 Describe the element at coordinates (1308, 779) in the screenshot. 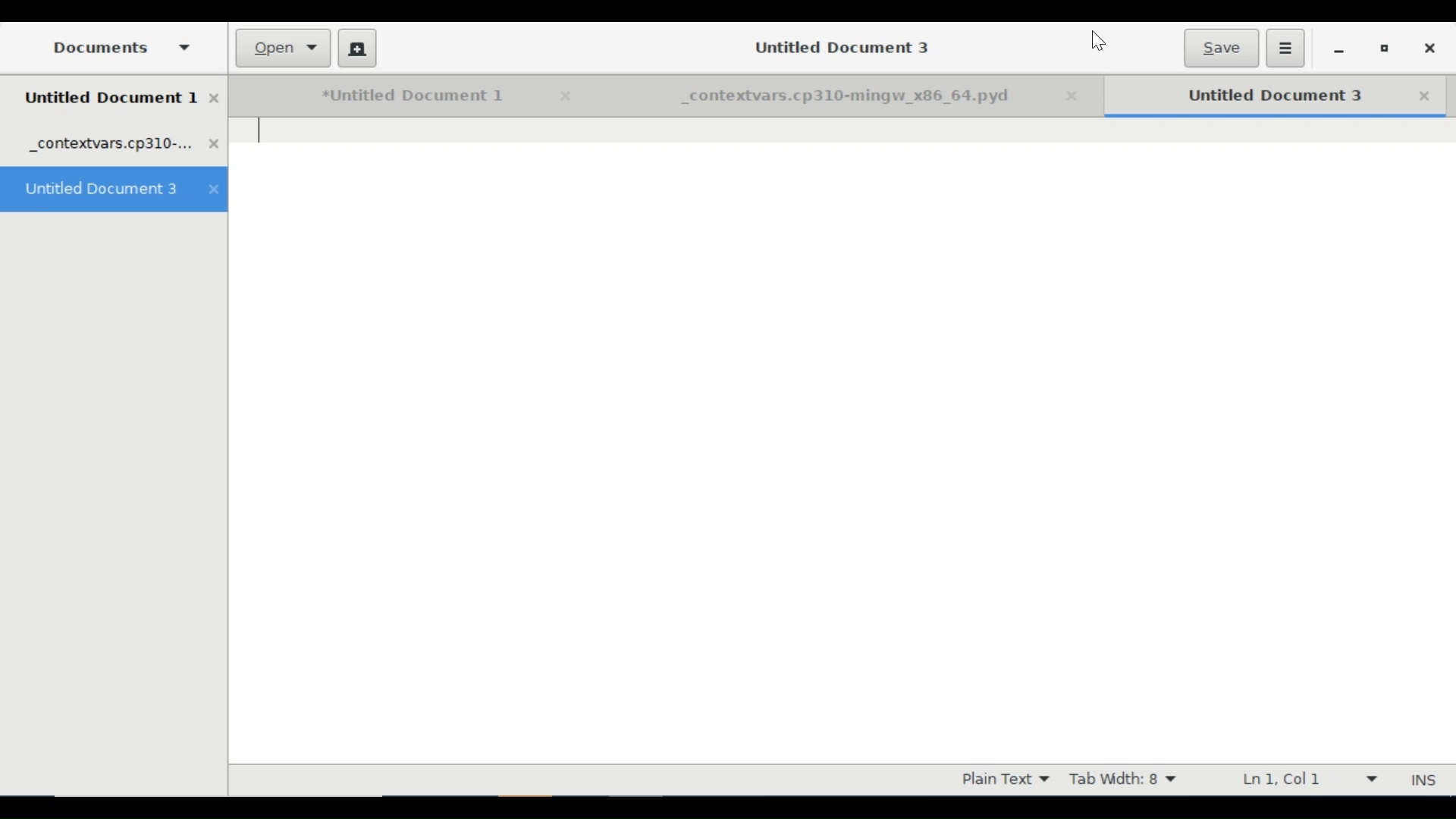

I see `Line & Column Preference` at that location.